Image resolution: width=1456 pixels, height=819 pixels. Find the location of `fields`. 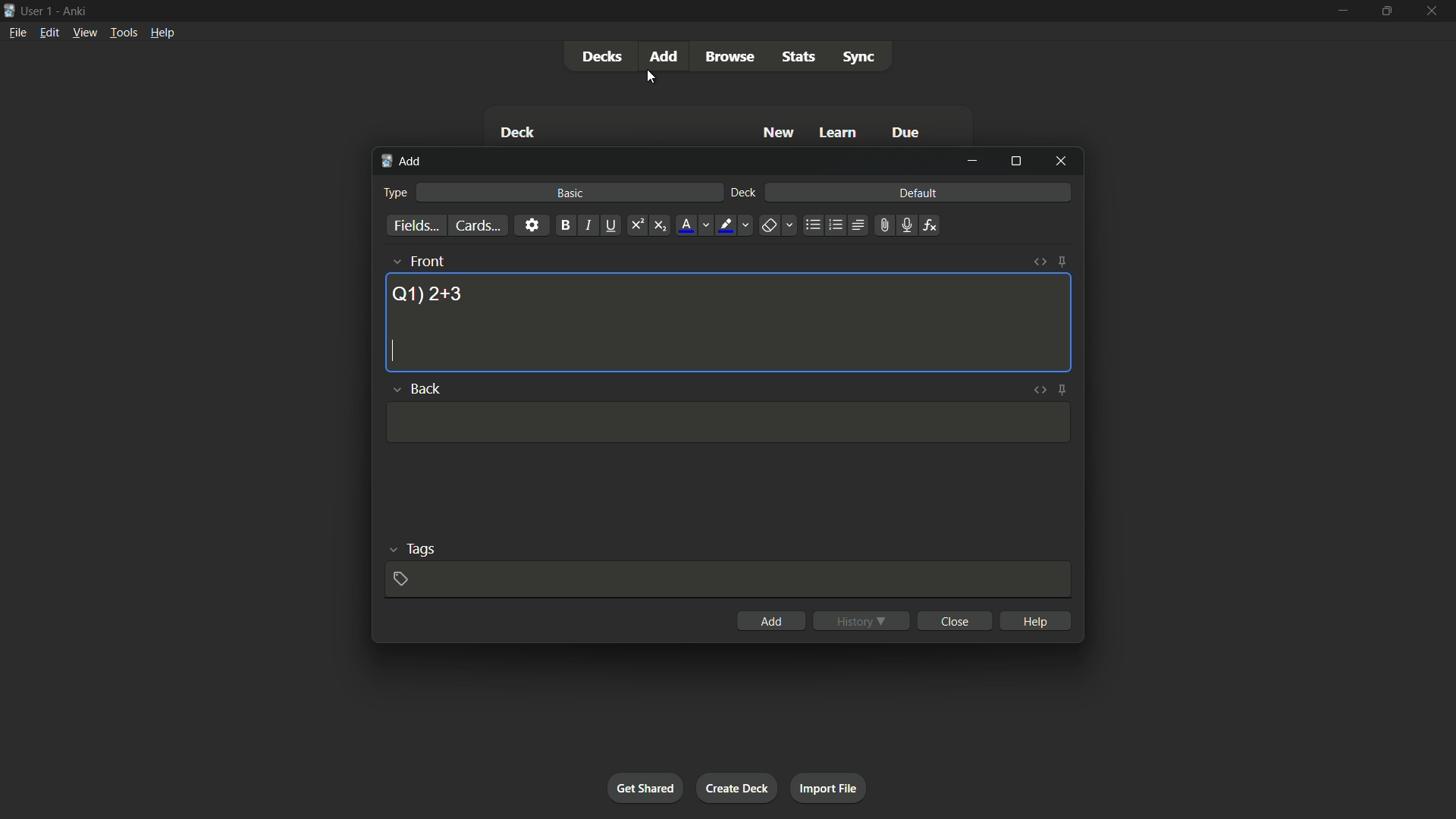

fields is located at coordinates (416, 227).